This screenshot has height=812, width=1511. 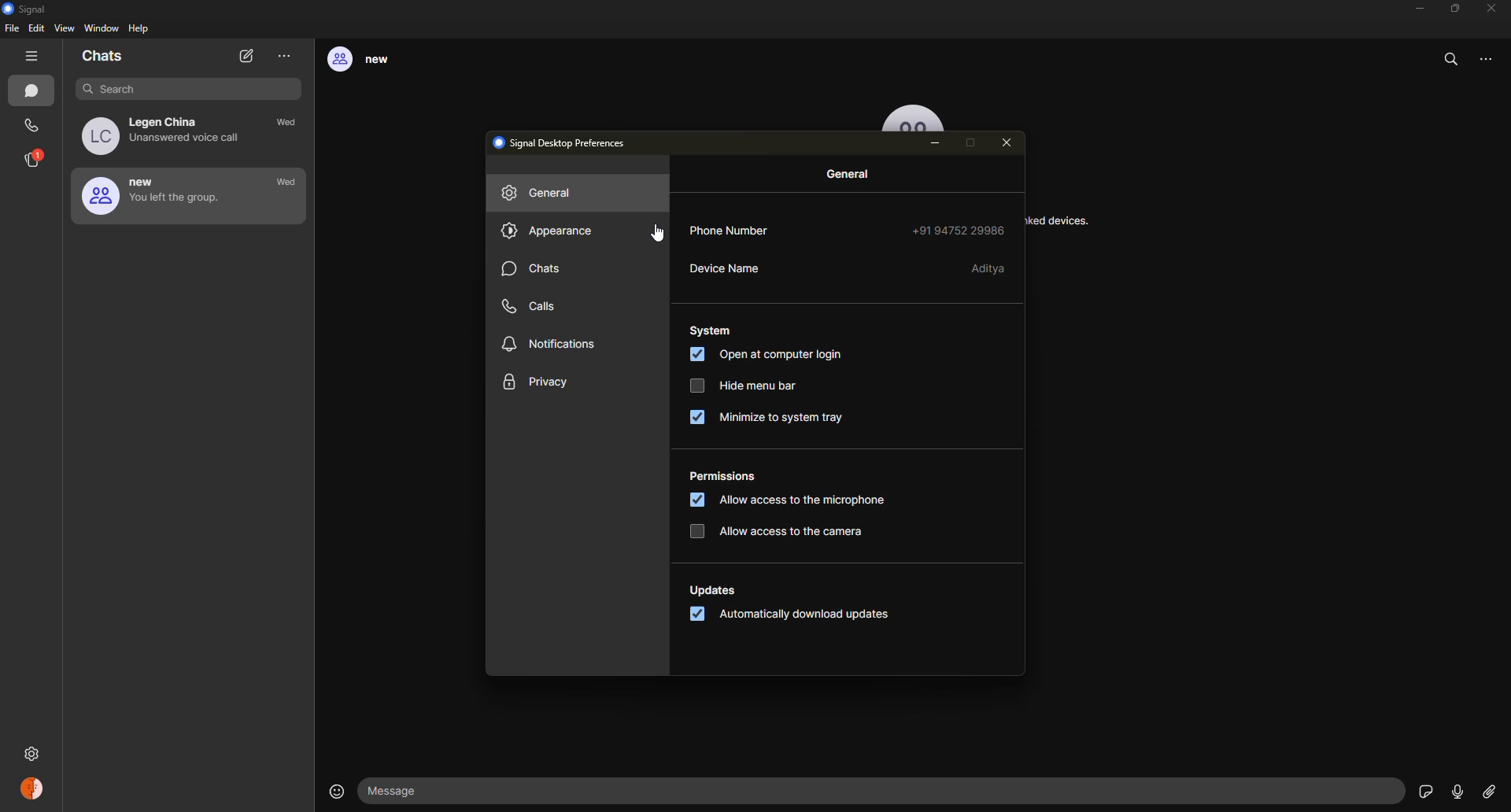 What do you see at coordinates (536, 304) in the screenshot?
I see `calls` at bounding box center [536, 304].